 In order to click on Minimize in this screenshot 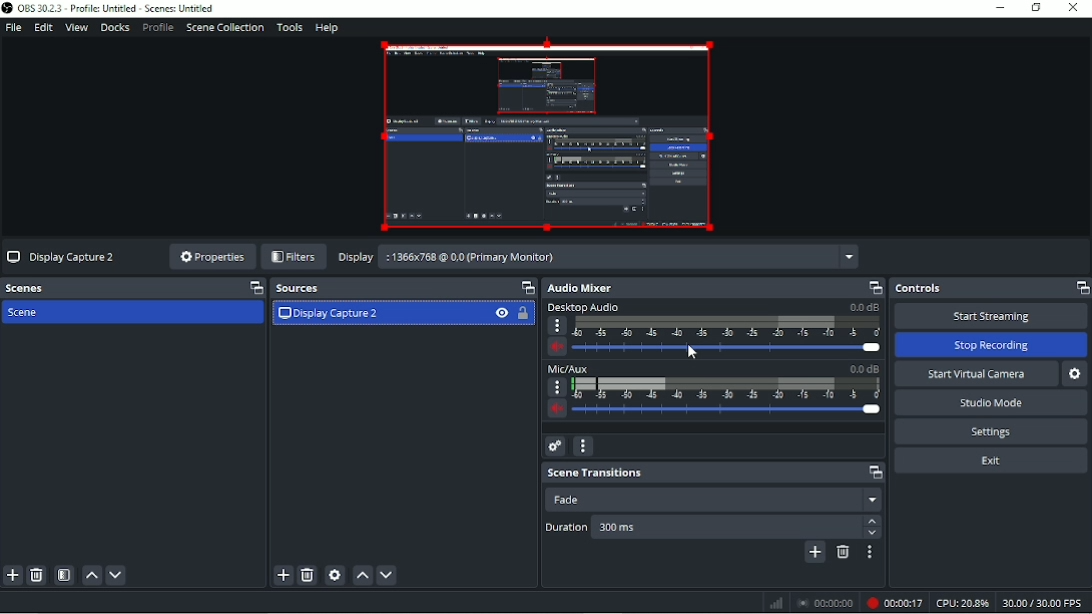, I will do `click(1001, 7)`.